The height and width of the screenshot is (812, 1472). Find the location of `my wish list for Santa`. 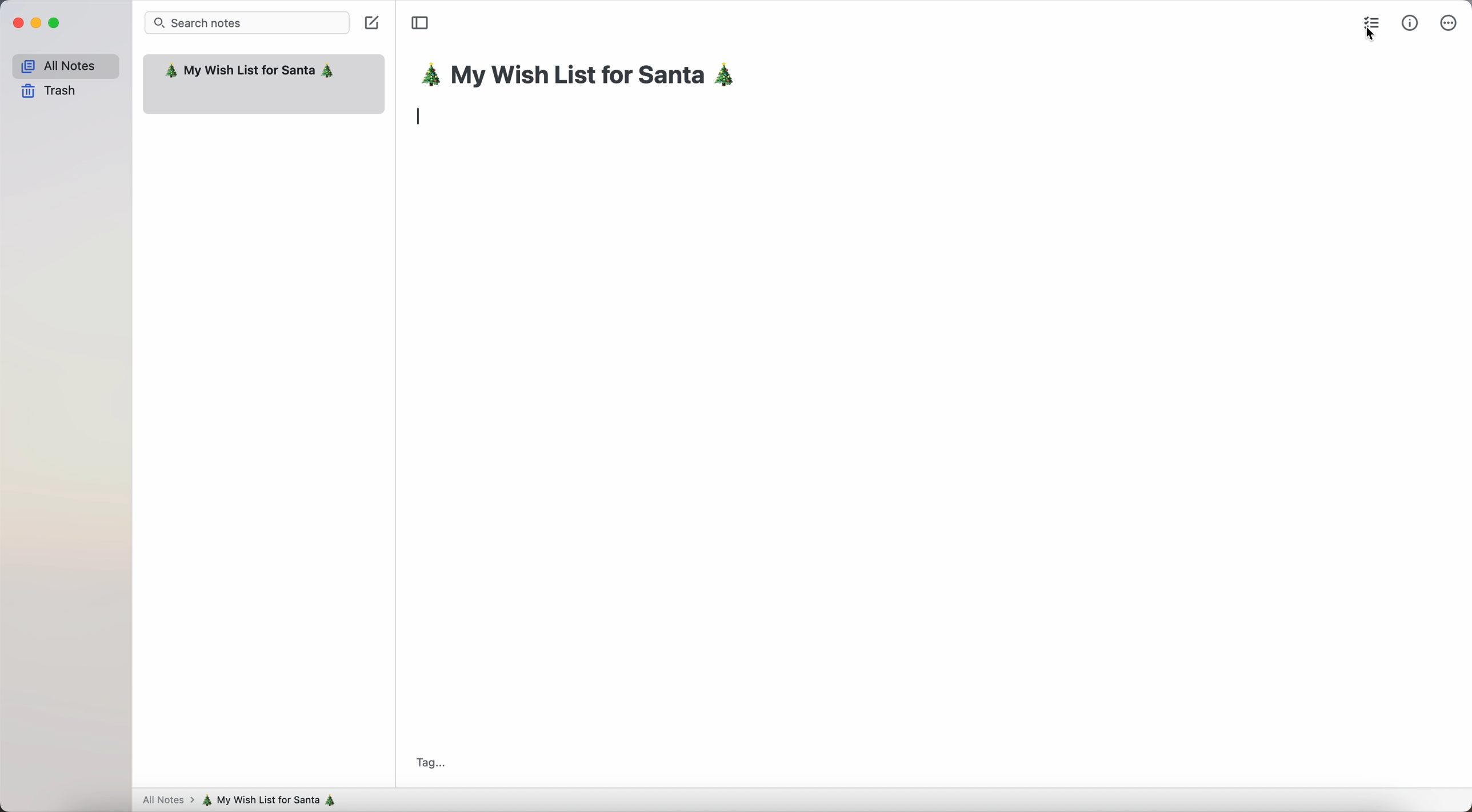

my wish list for Santa is located at coordinates (274, 800).